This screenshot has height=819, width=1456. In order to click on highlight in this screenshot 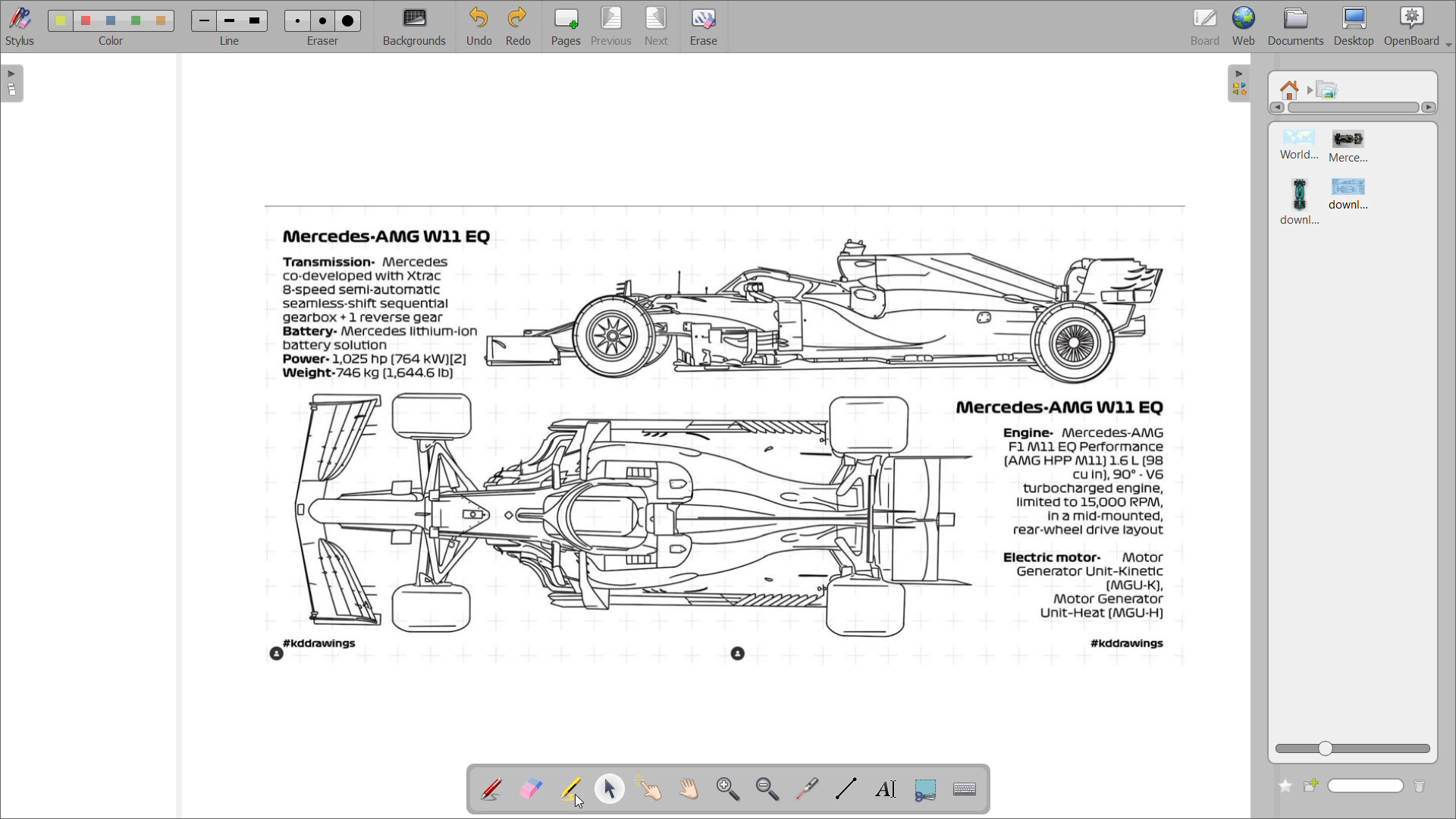, I will do `click(573, 789)`.